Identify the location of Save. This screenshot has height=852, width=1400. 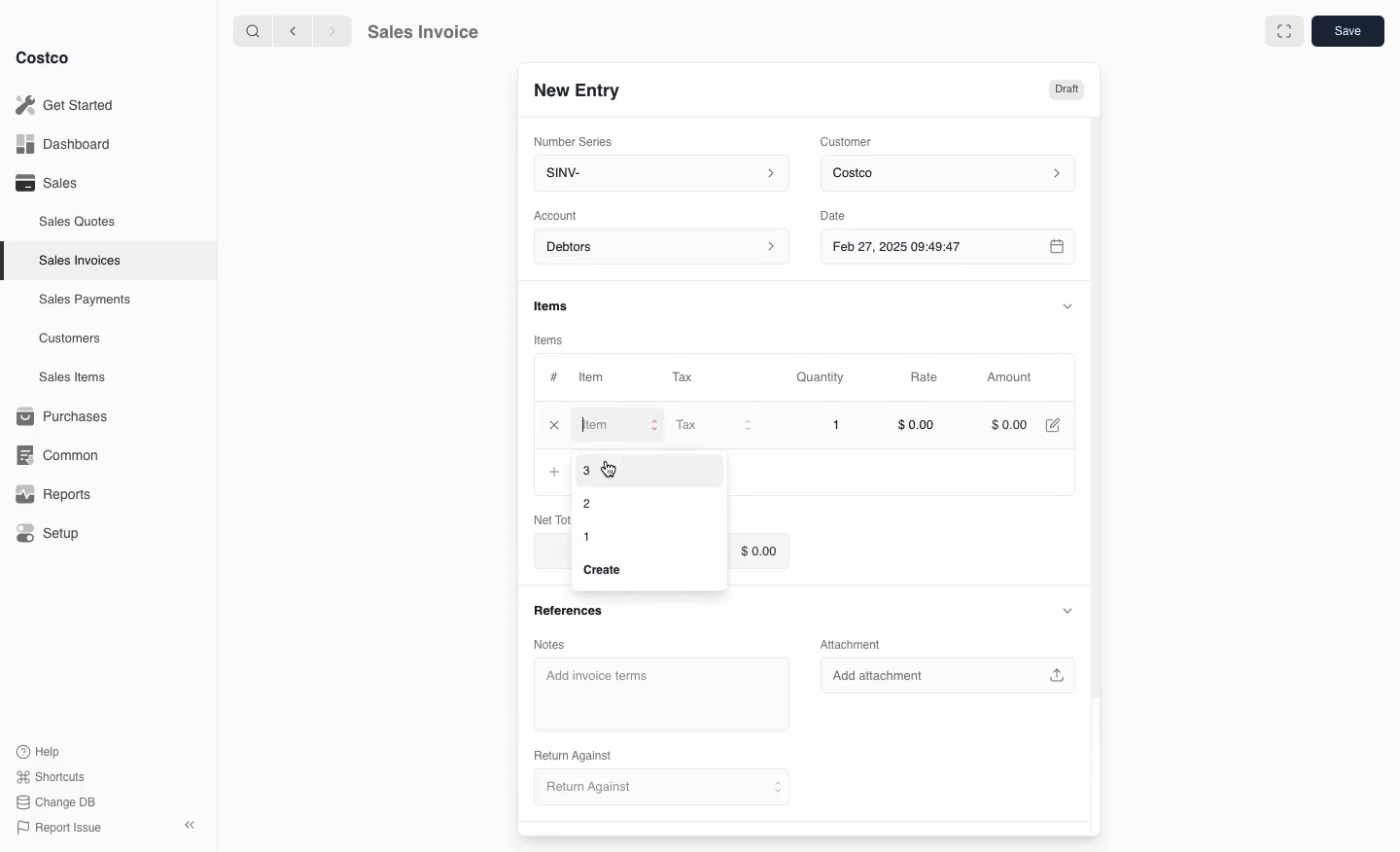
(1347, 32).